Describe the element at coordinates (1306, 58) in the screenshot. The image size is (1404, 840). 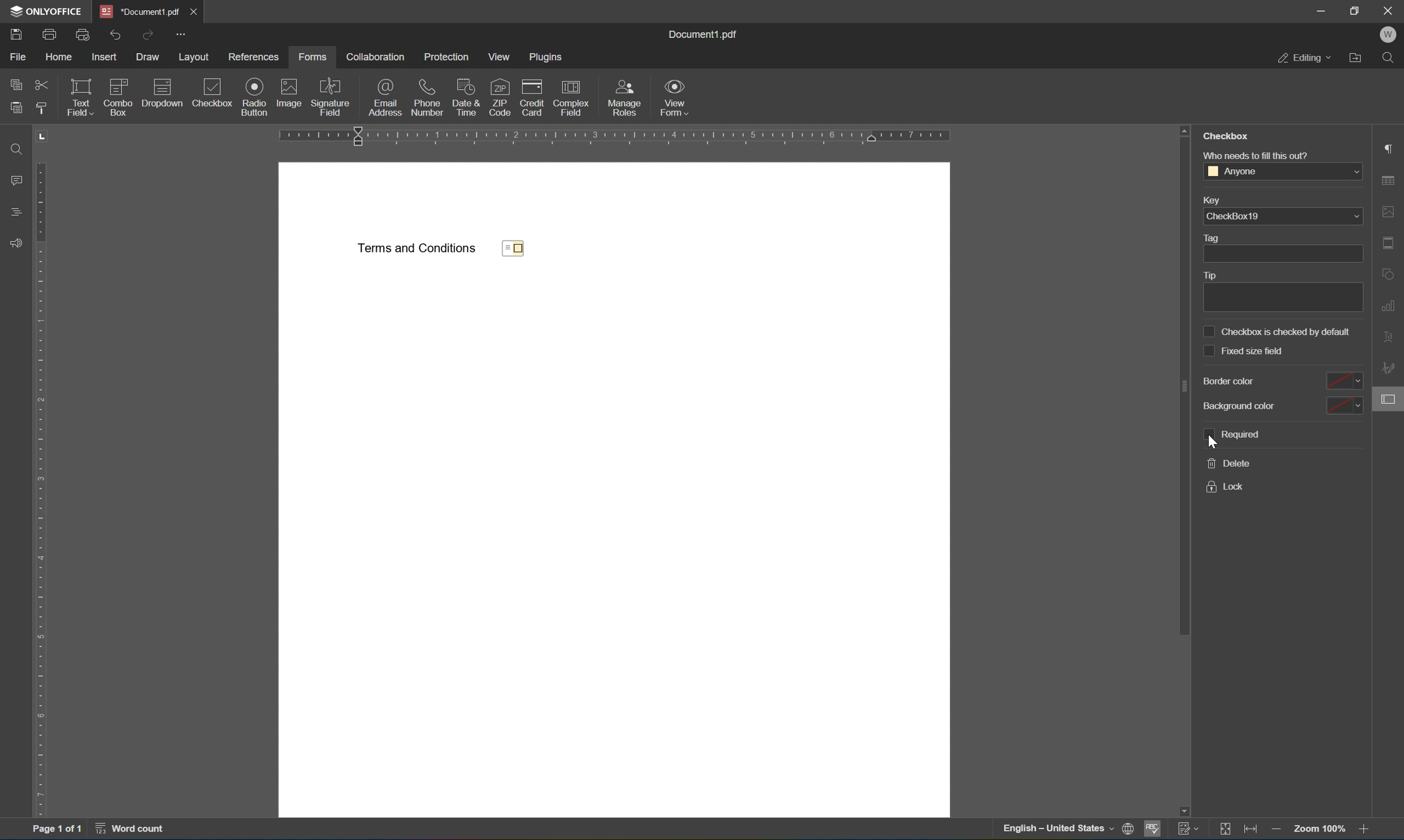
I see `editing` at that location.